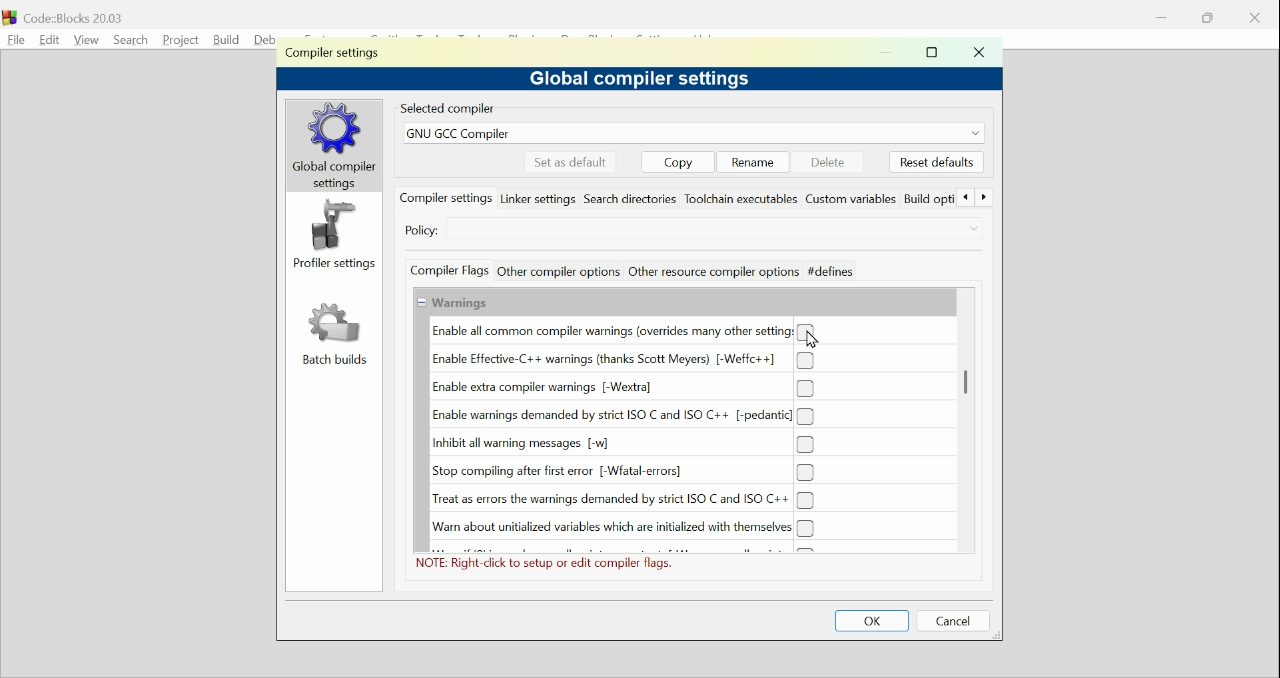  I want to click on Search, so click(127, 38).